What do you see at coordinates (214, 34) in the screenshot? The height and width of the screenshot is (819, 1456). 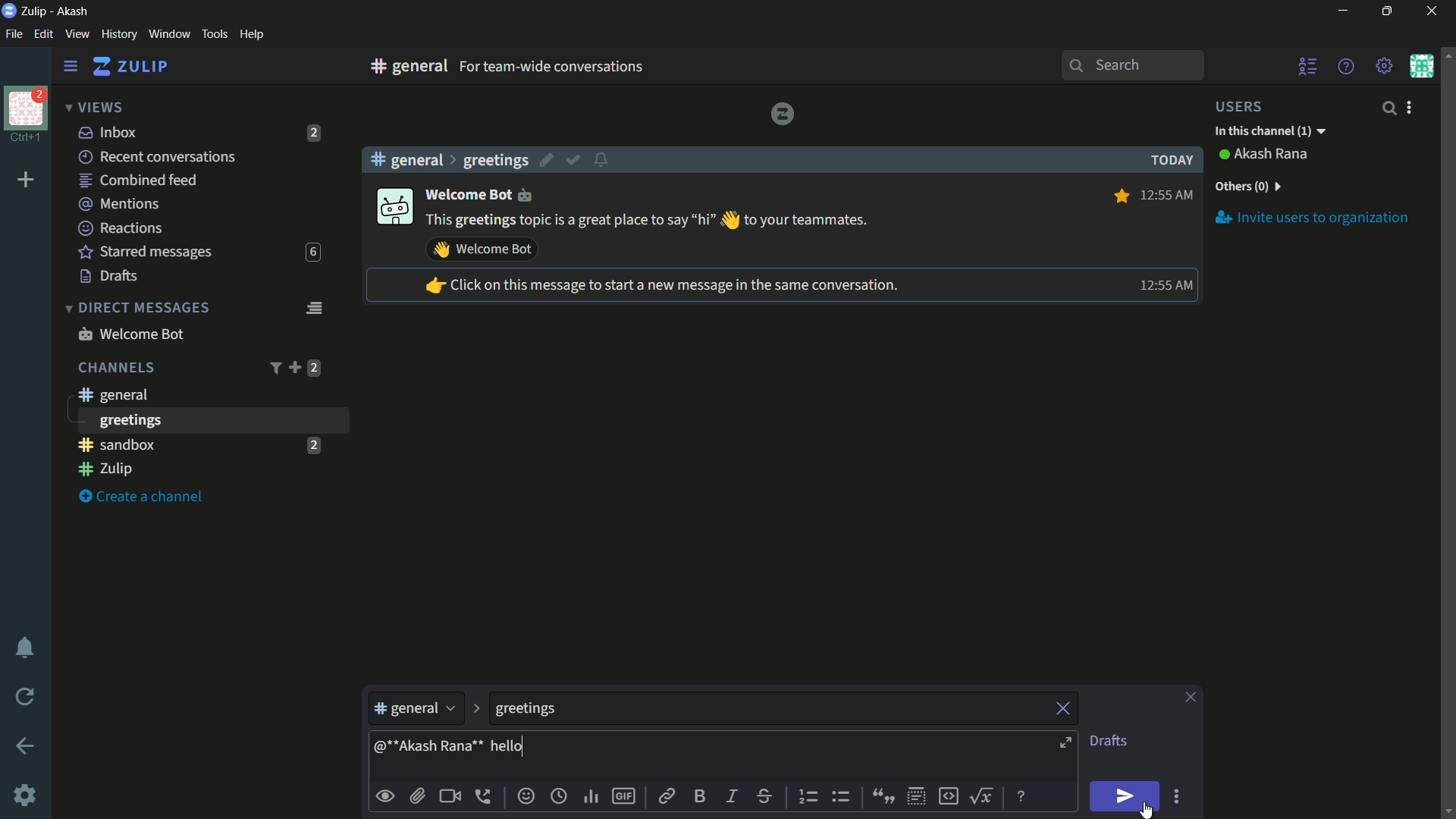 I see `tools menu` at bounding box center [214, 34].